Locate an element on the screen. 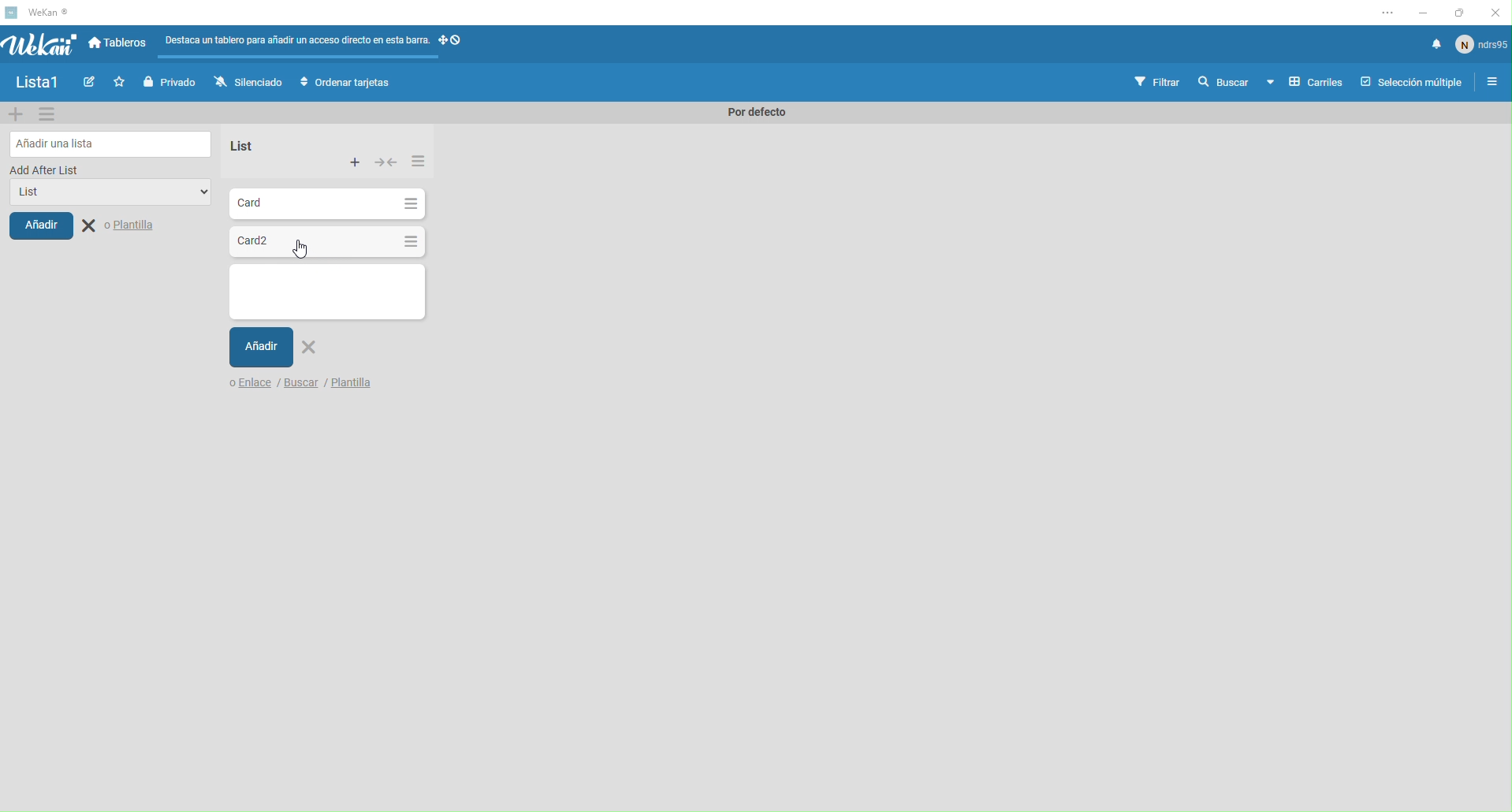 Image resolution: width=1512 pixels, height=812 pixels. usuario is located at coordinates (1482, 48).